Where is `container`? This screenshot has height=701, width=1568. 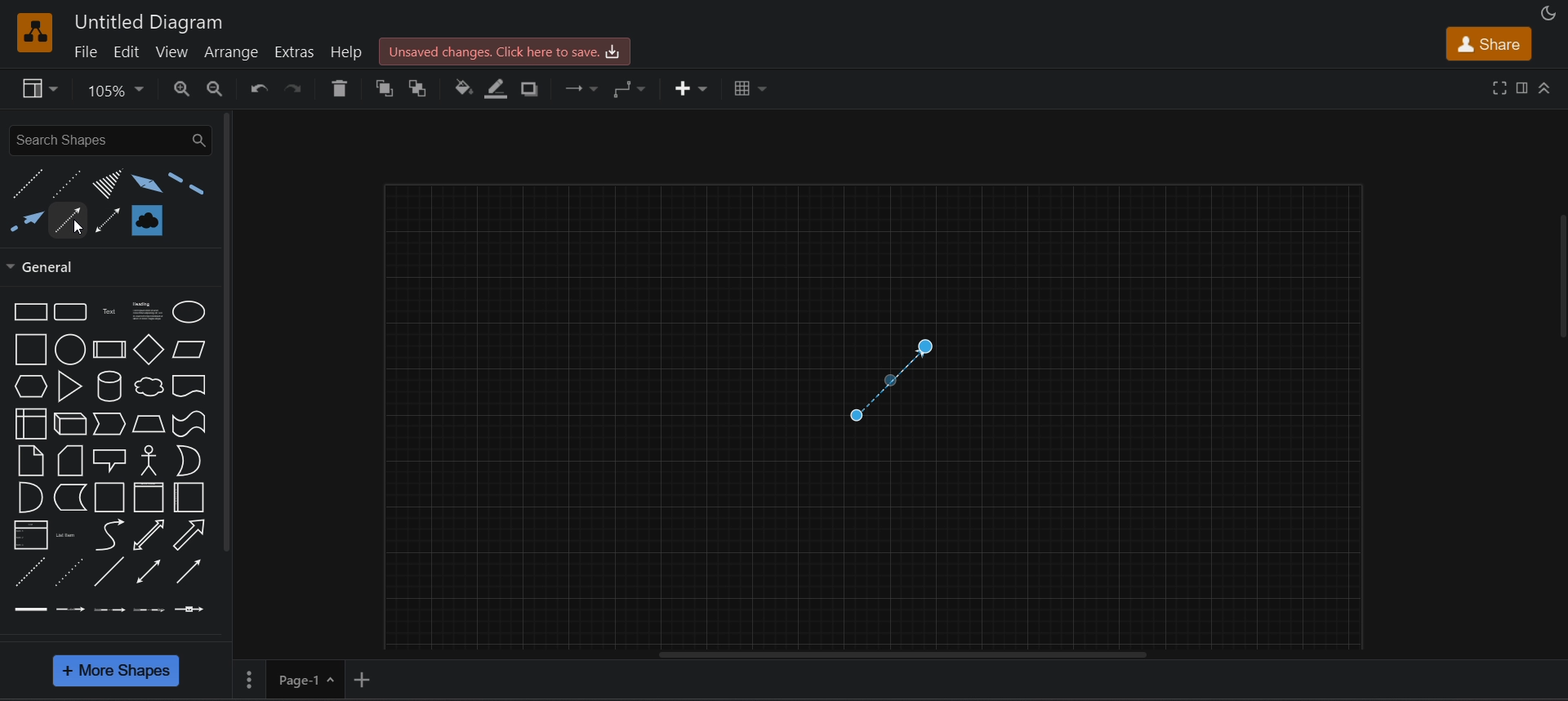 container is located at coordinates (109, 496).